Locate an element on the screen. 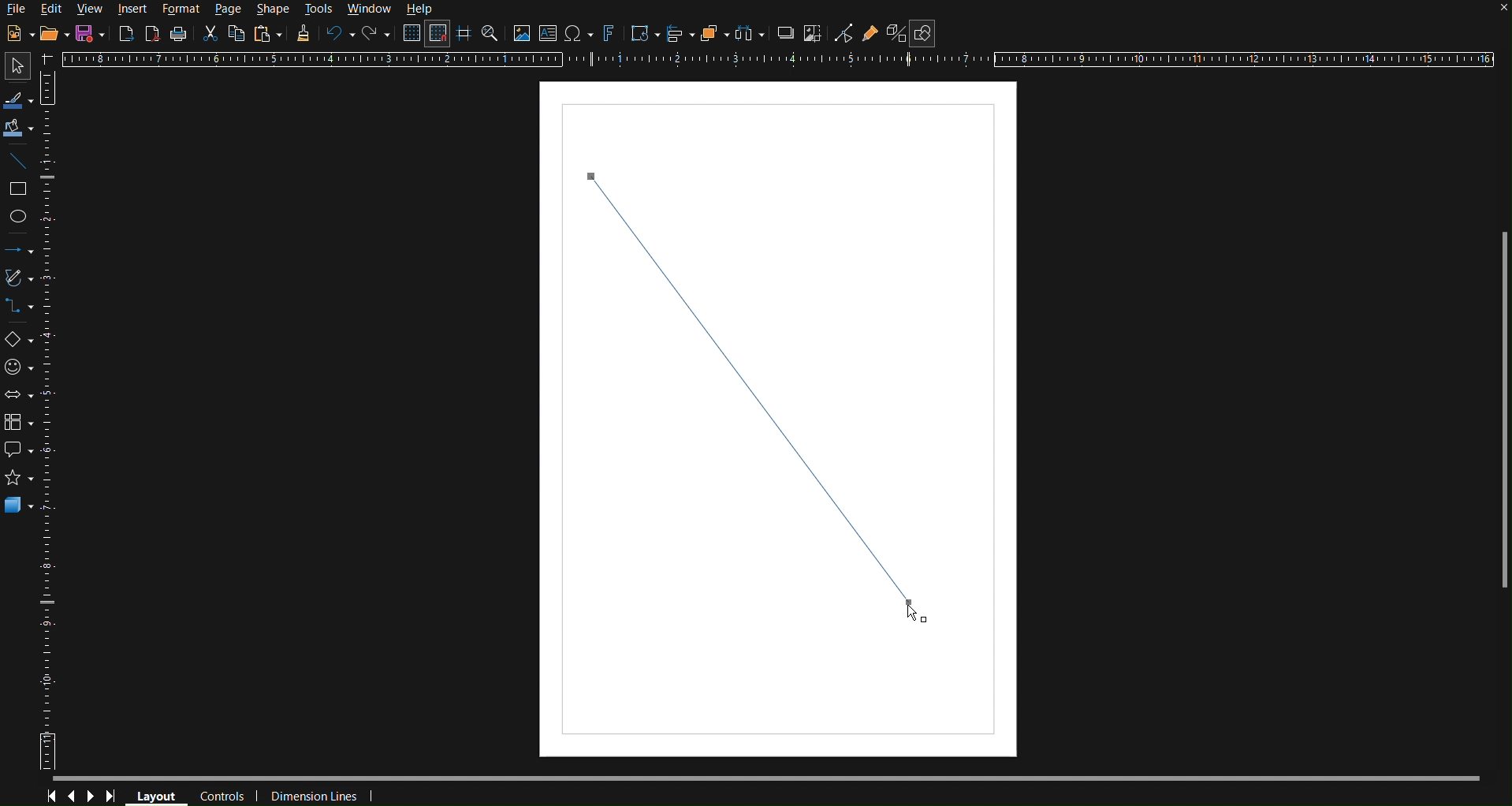  Distribute objects is located at coordinates (752, 33).